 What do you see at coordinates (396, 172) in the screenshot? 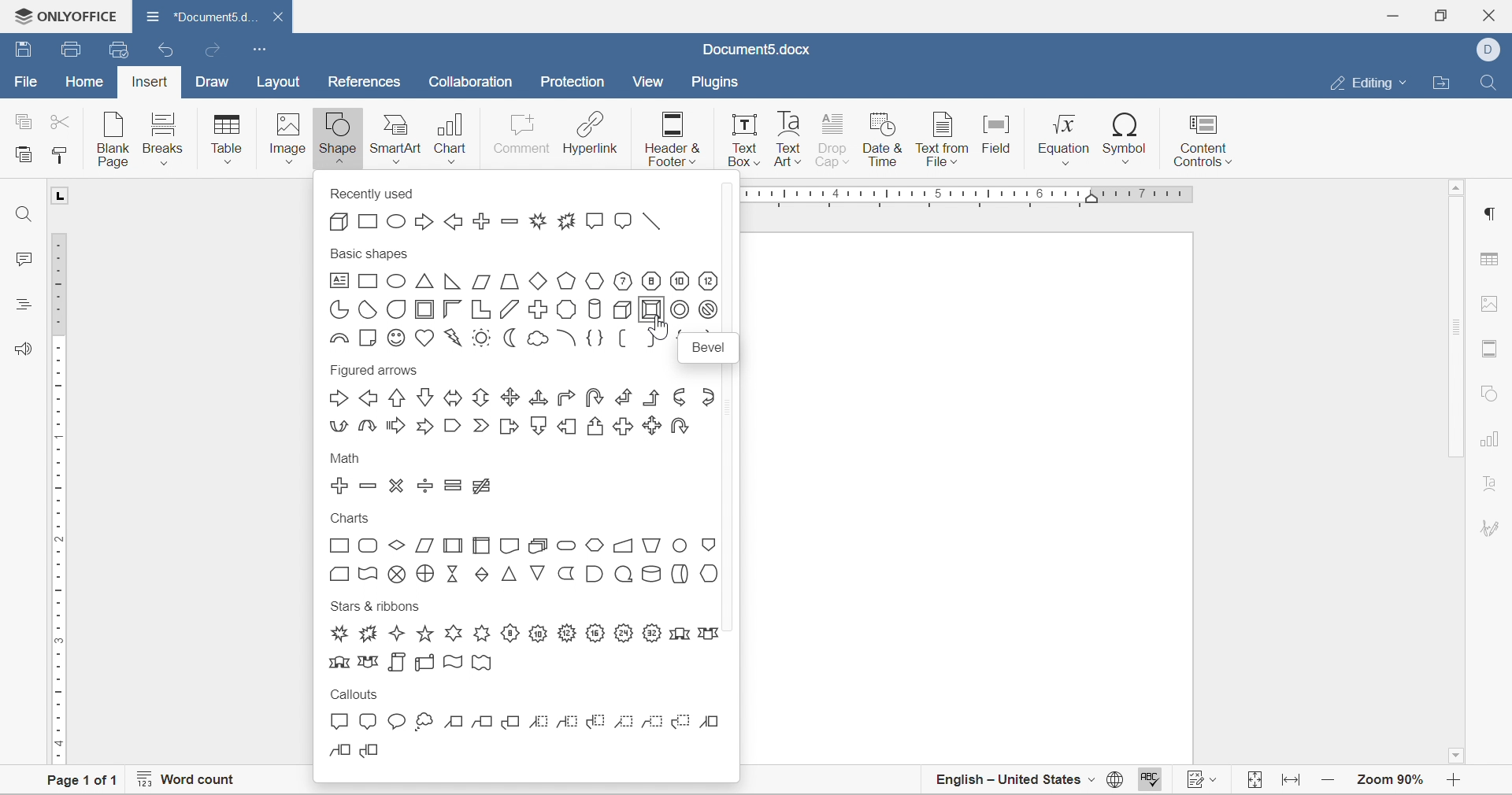
I see `insert shape` at bounding box center [396, 172].